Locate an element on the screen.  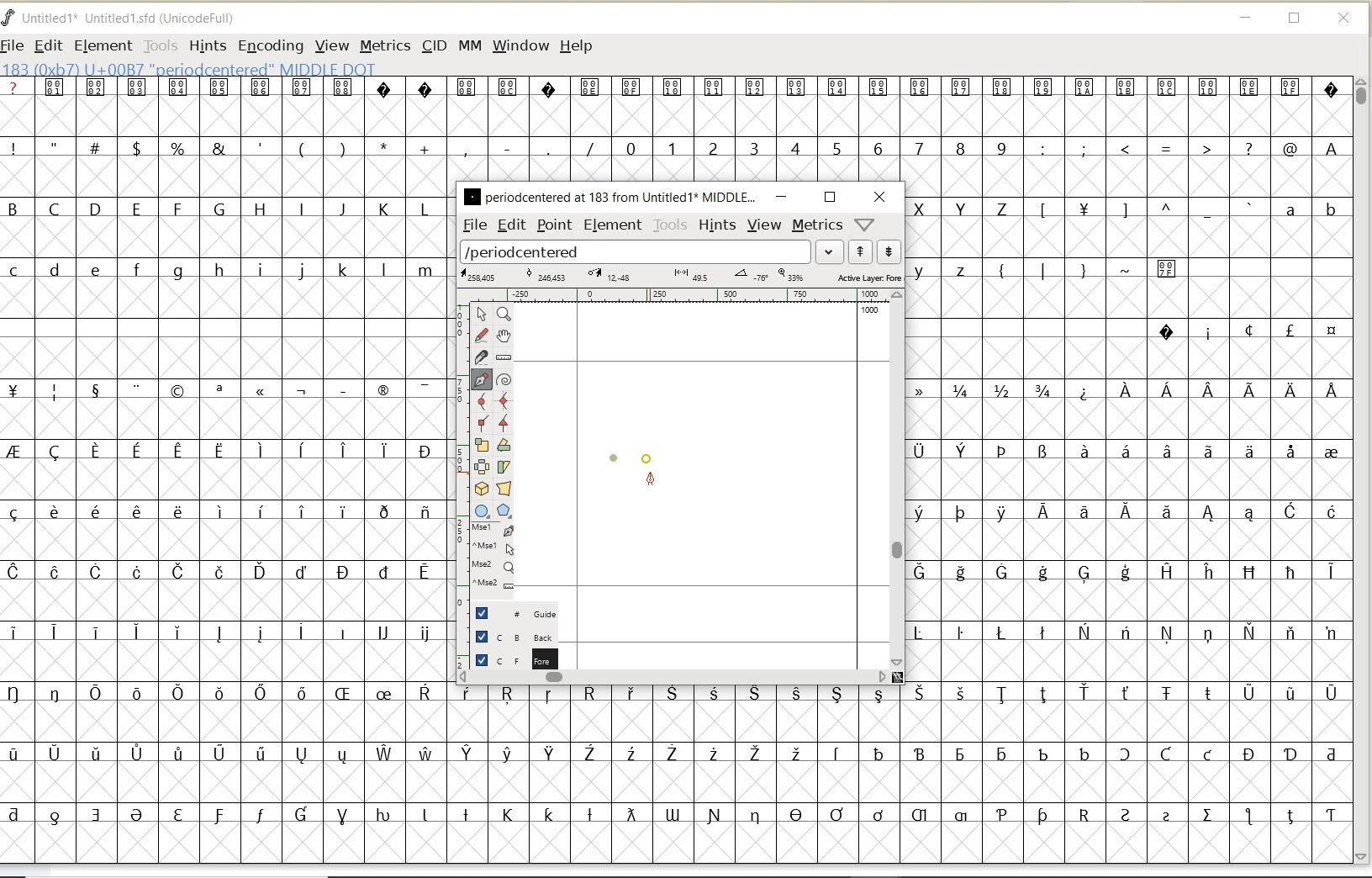
WINDOW is located at coordinates (520, 45).